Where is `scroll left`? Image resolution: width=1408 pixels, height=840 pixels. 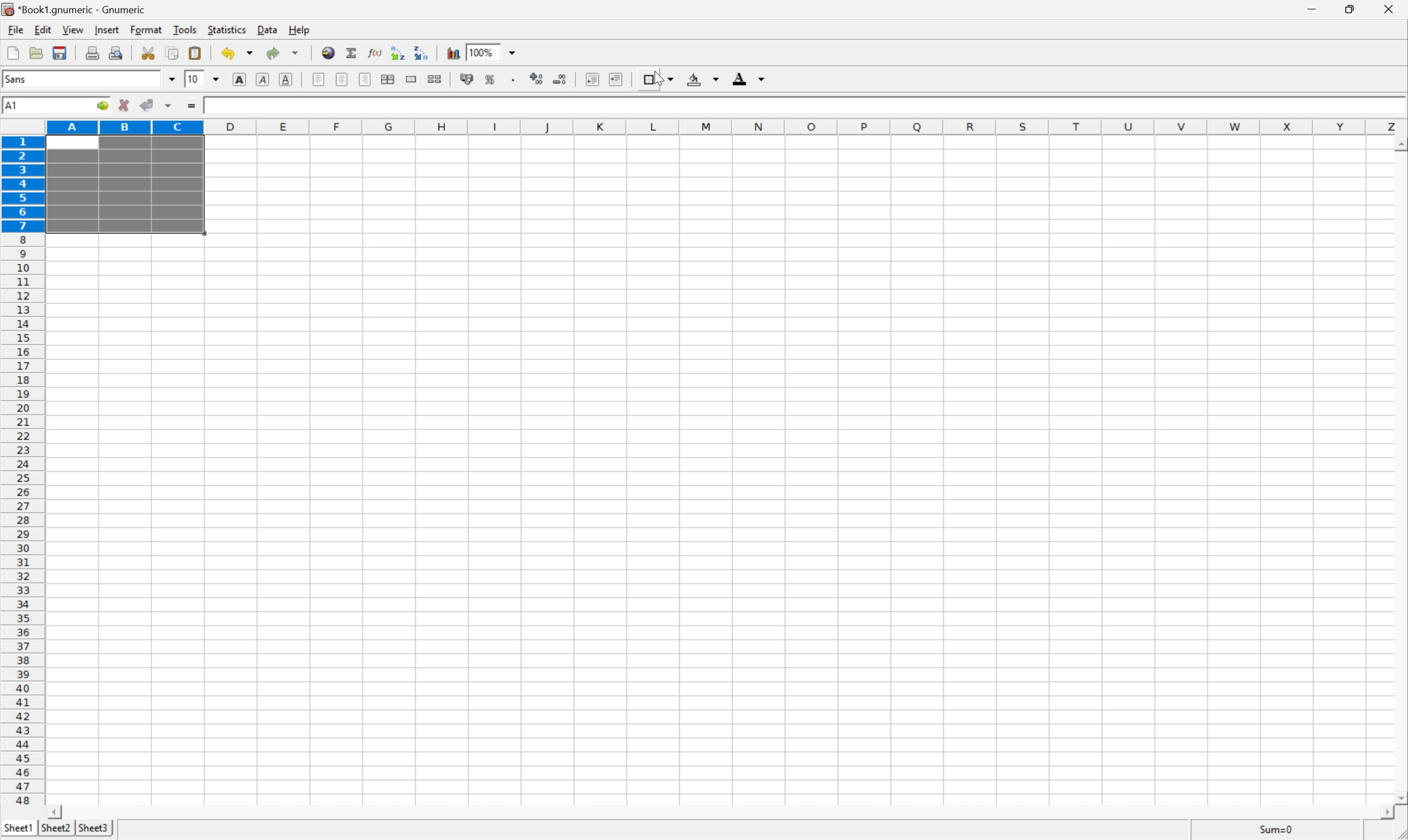
scroll left is located at coordinates (57, 812).